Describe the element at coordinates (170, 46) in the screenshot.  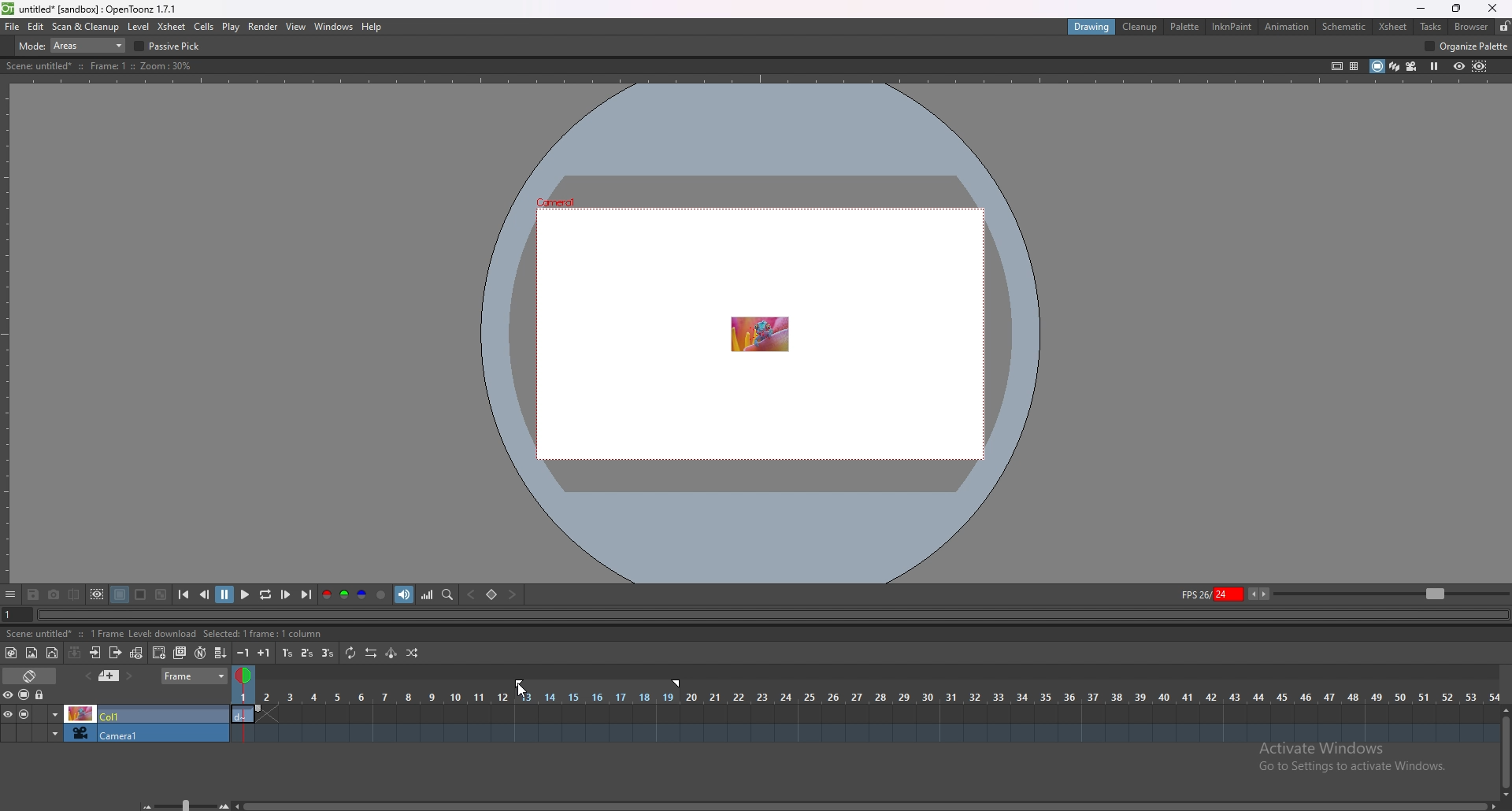
I see `passive pick` at that location.